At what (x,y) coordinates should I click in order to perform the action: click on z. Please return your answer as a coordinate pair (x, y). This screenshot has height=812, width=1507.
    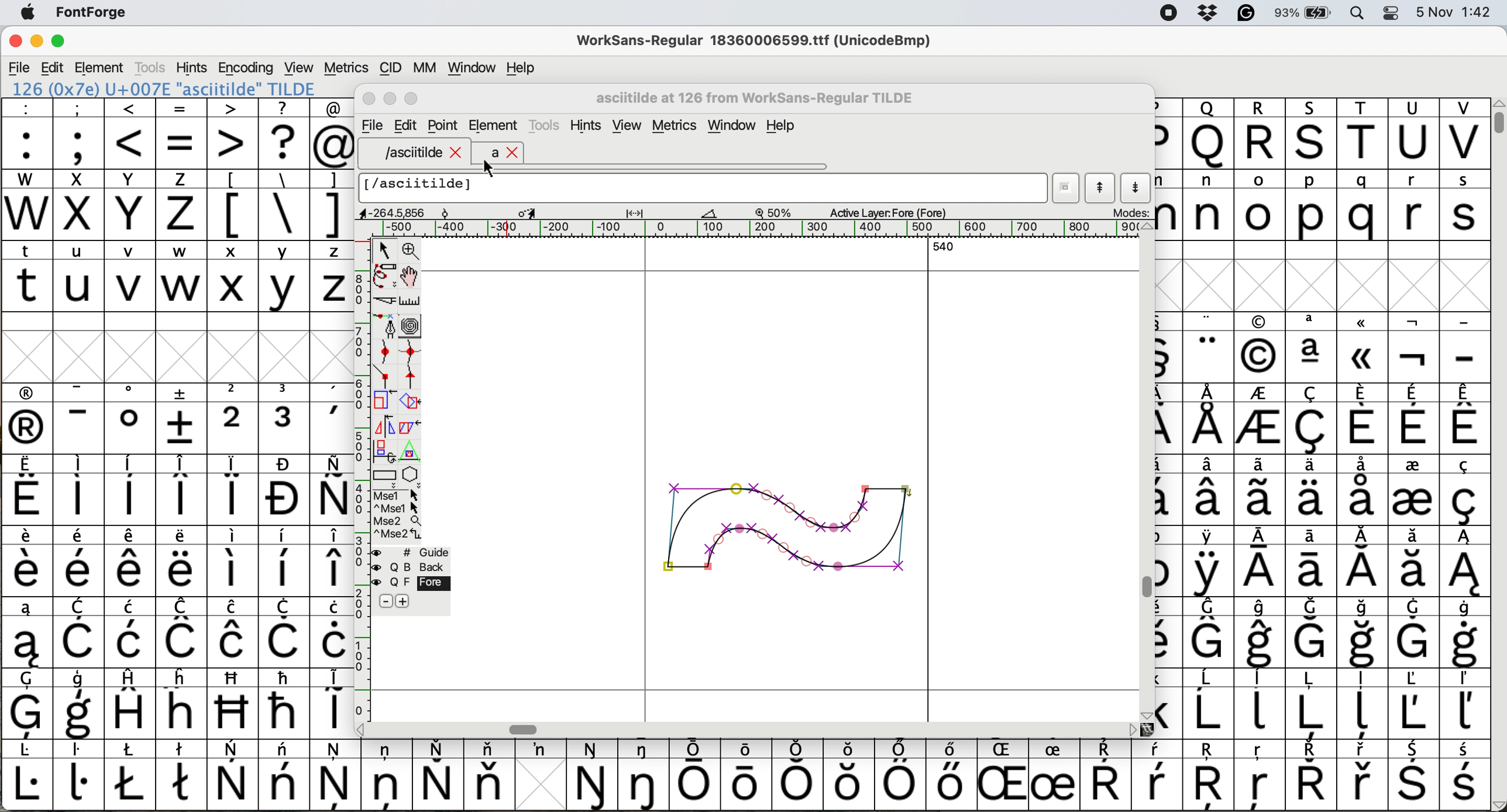
    Looking at the image, I should click on (181, 204).